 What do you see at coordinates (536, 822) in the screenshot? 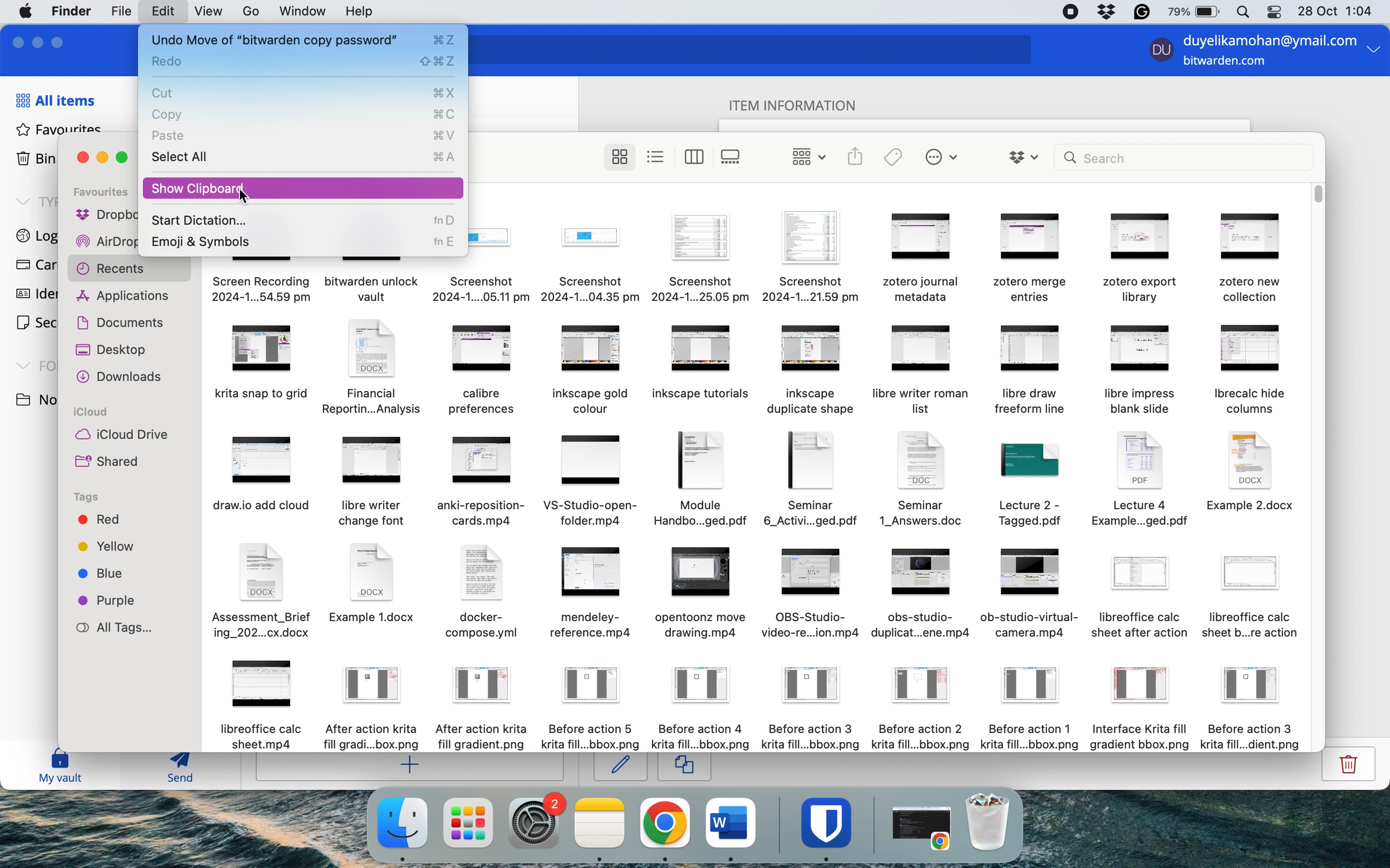
I see `system preferences` at bounding box center [536, 822].